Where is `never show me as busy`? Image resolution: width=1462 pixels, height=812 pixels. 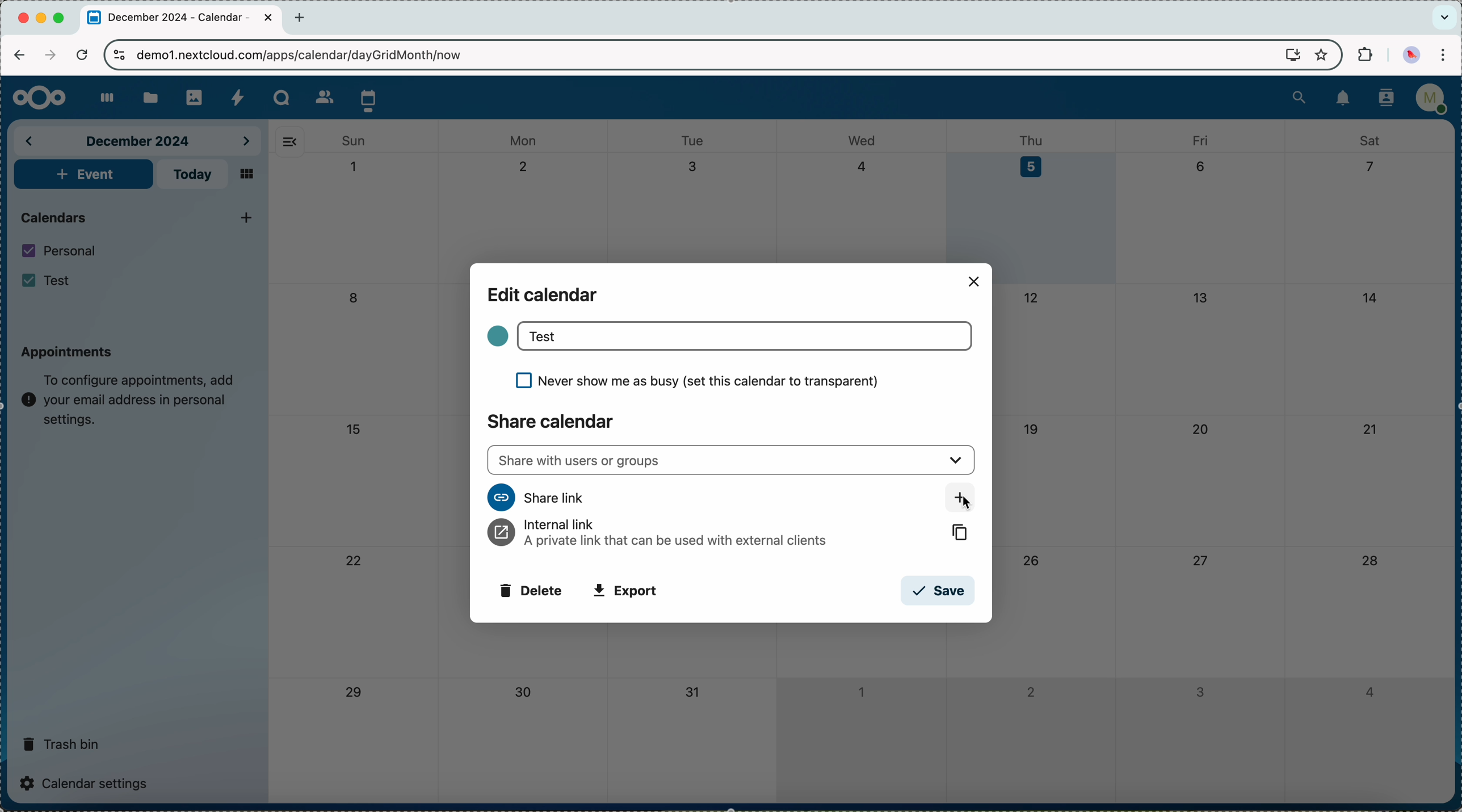
never show me as busy is located at coordinates (695, 380).